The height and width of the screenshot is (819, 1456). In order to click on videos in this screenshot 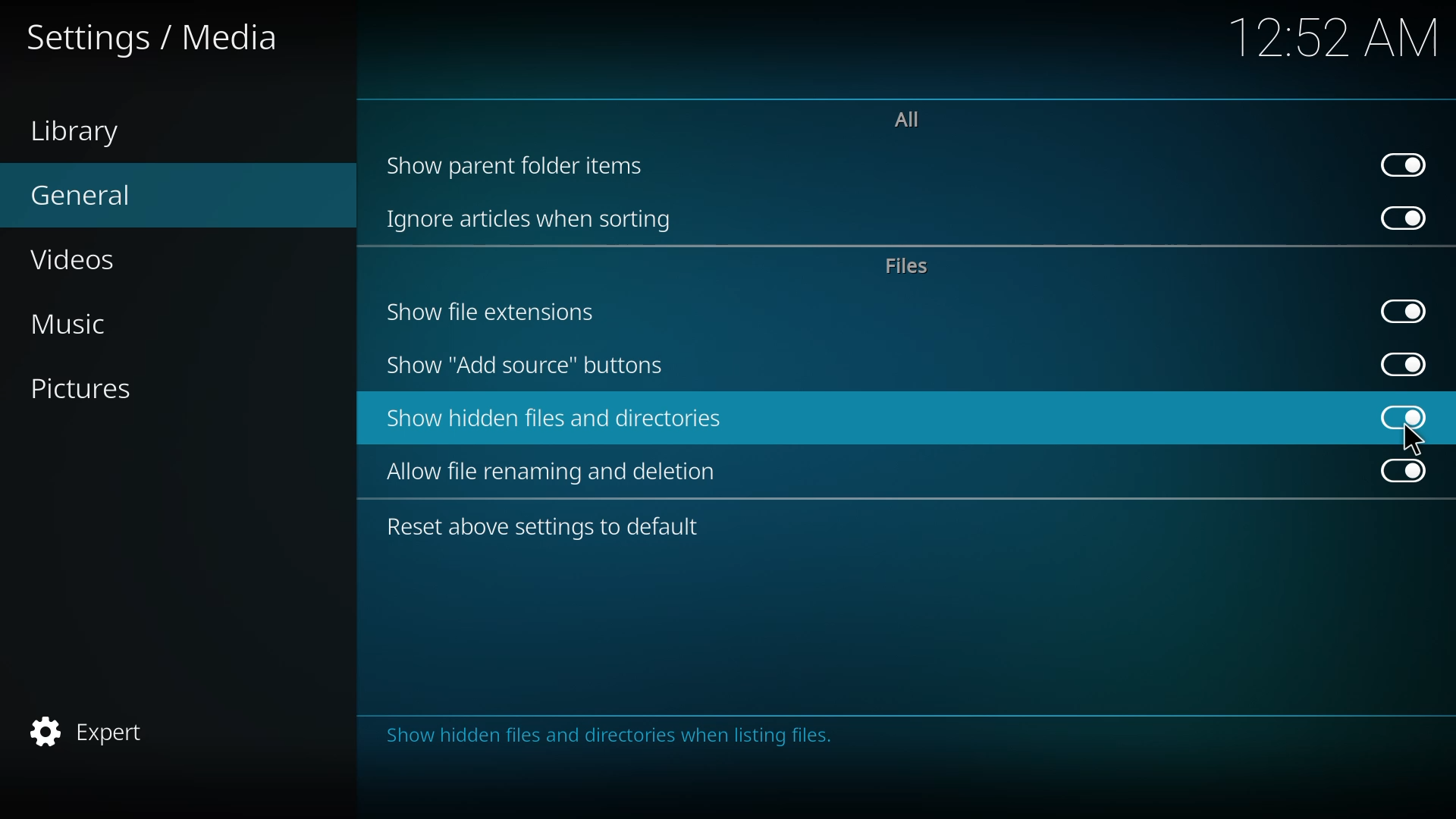, I will do `click(85, 260)`.